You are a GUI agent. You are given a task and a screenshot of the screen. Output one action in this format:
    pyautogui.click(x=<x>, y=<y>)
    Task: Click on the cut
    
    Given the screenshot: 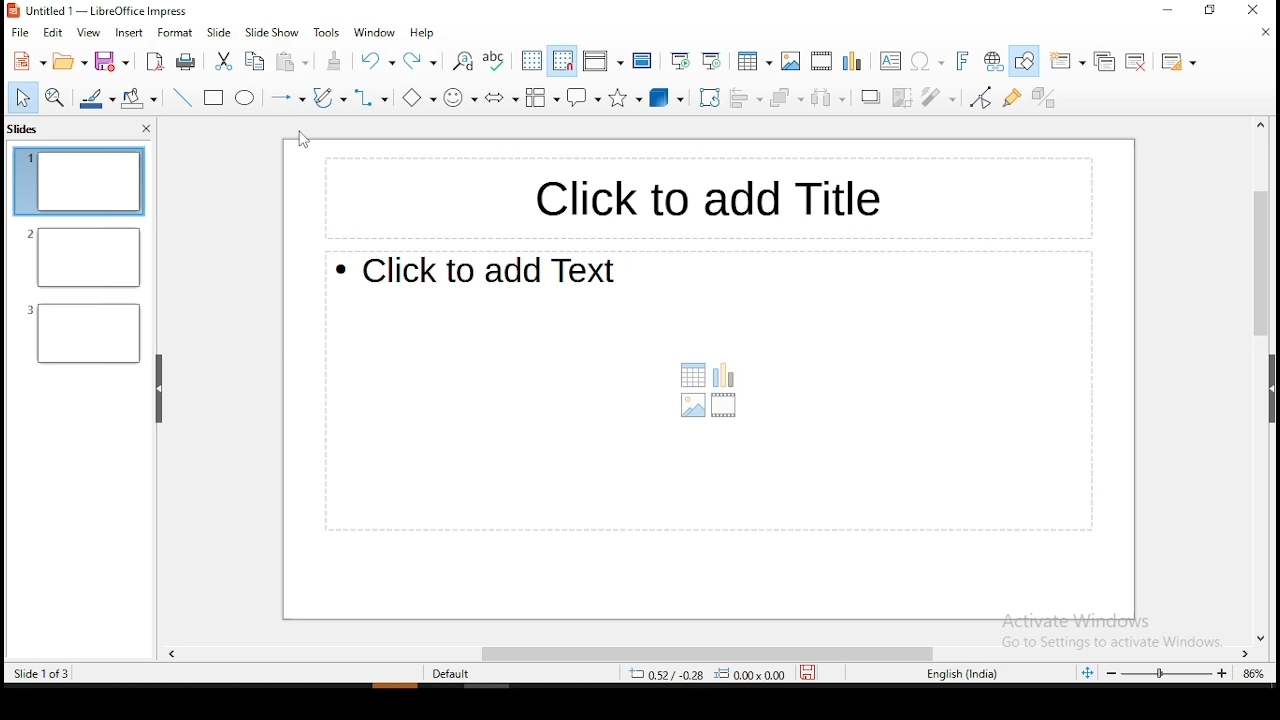 What is the action you would take?
    pyautogui.click(x=221, y=62)
    